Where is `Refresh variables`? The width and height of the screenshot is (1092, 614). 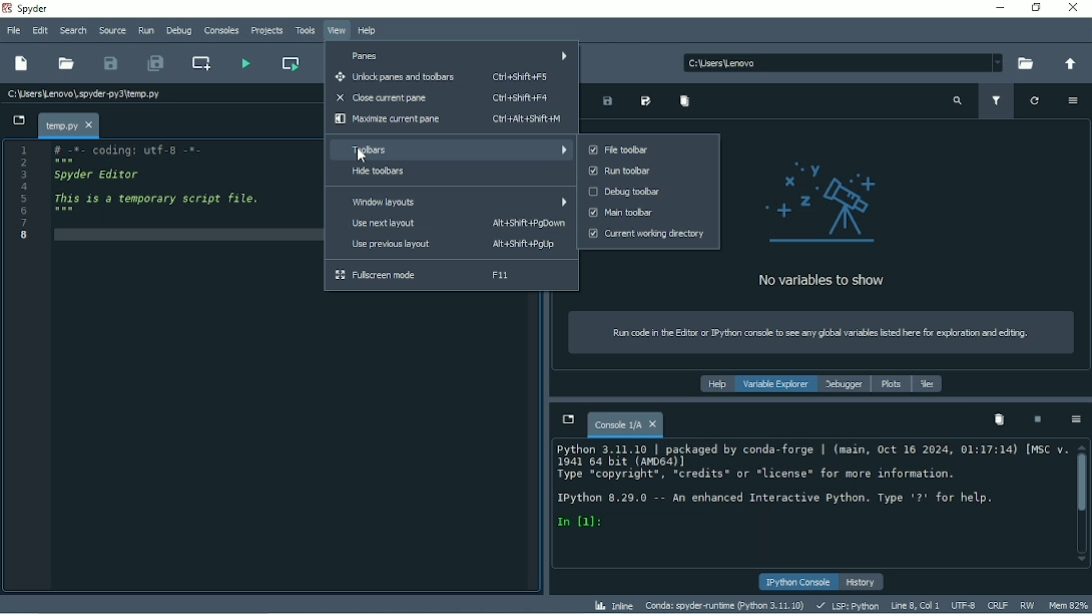
Refresh variables is located at coordinates (1035, 101).